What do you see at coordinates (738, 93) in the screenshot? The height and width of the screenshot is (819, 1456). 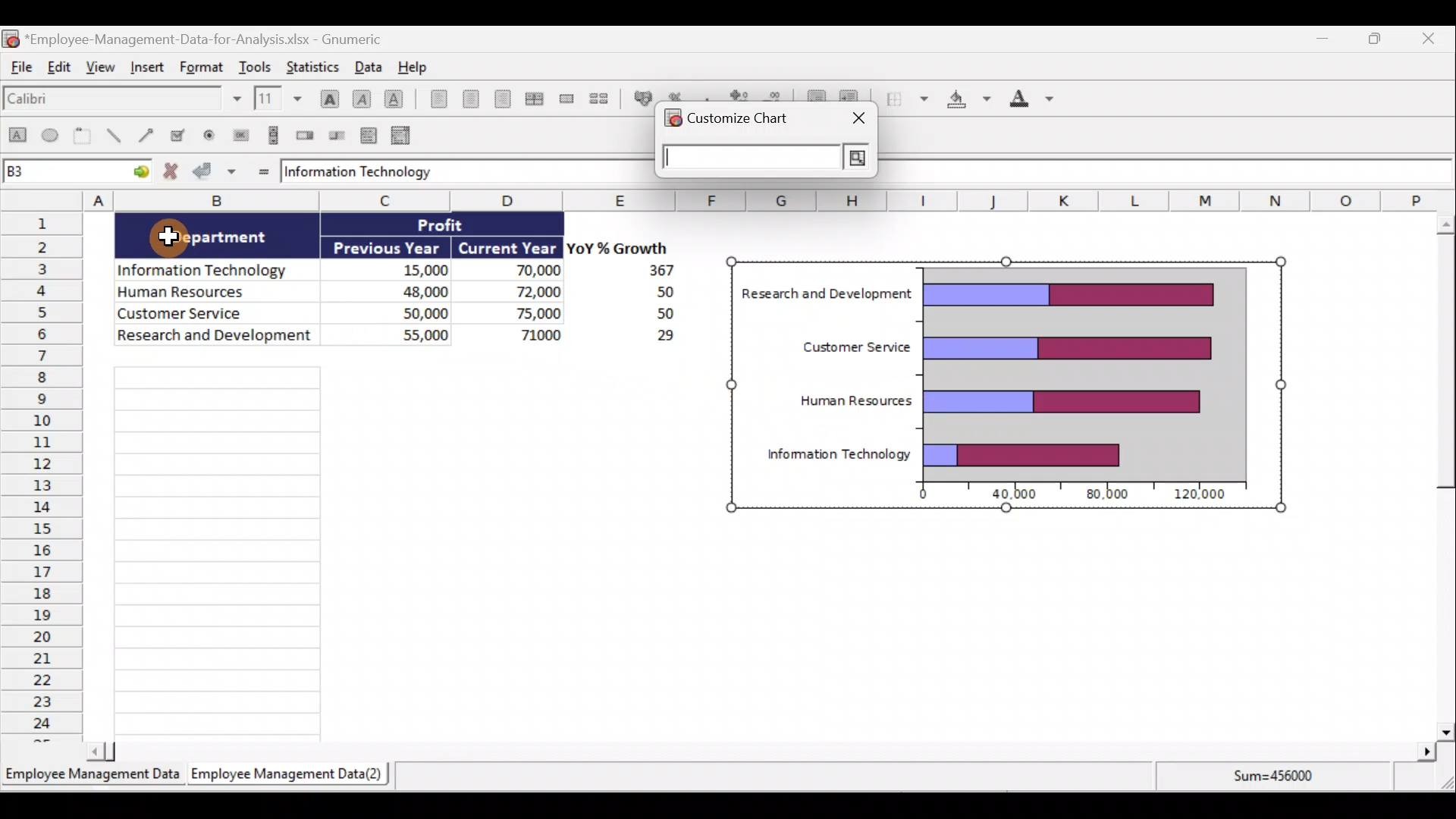 I see `Increase decimals` at bounding box center [738, 93].